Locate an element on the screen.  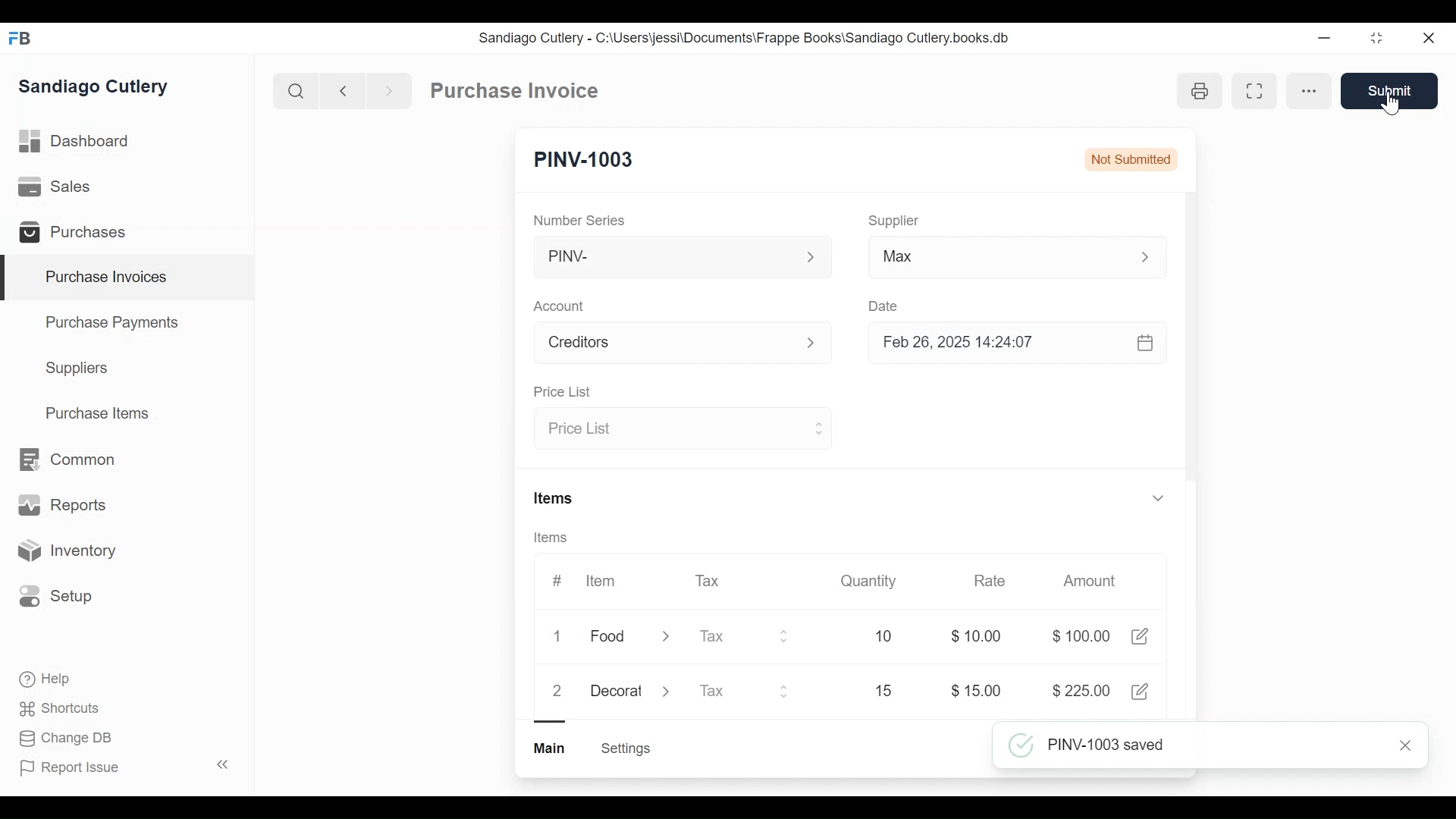
Item is located at coordinates (599, 581).